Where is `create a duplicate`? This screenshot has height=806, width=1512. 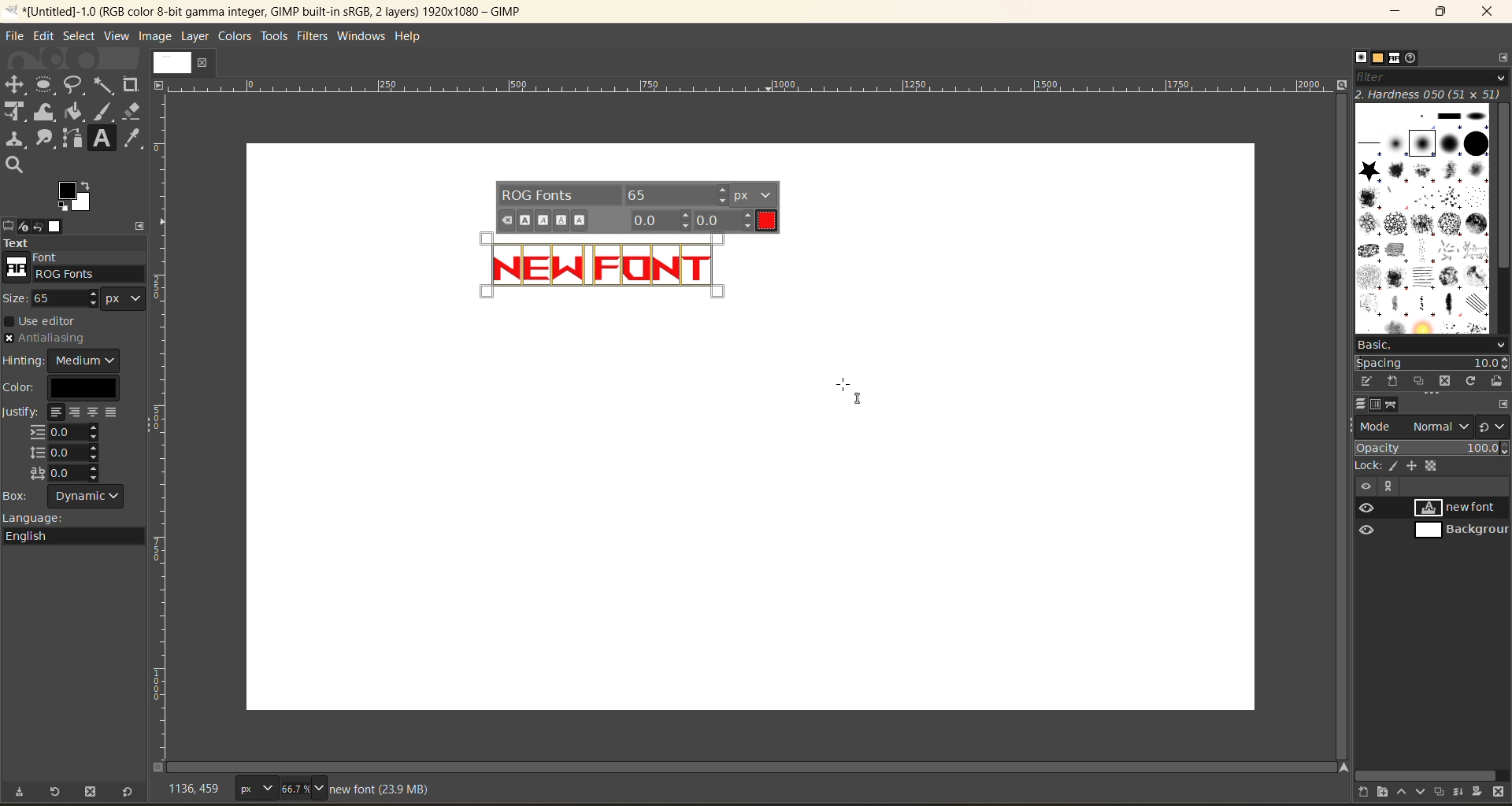 create a duplicate is located at coordinates (1441, 791).